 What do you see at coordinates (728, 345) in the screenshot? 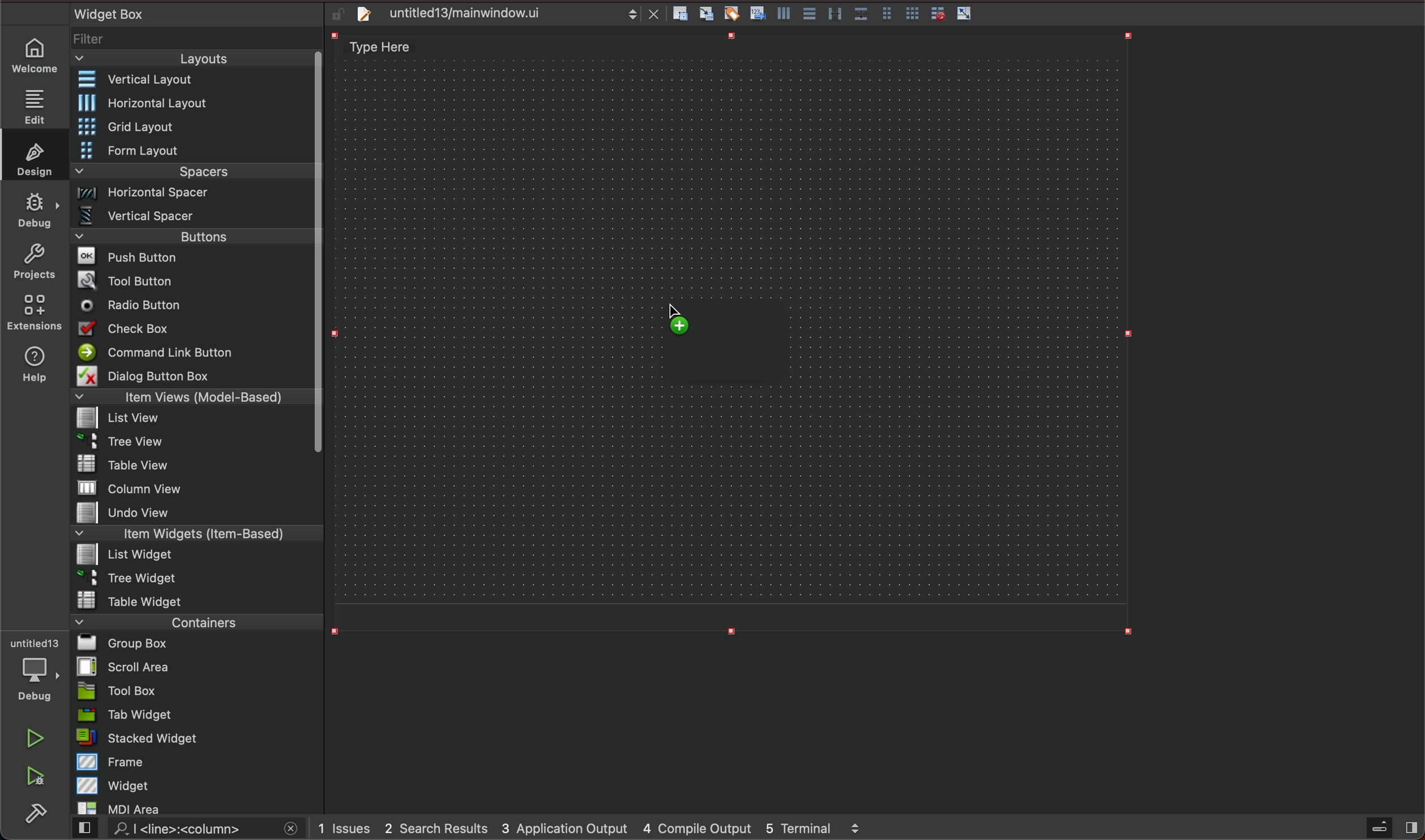
I see `display` at bounding box center [728, 345].